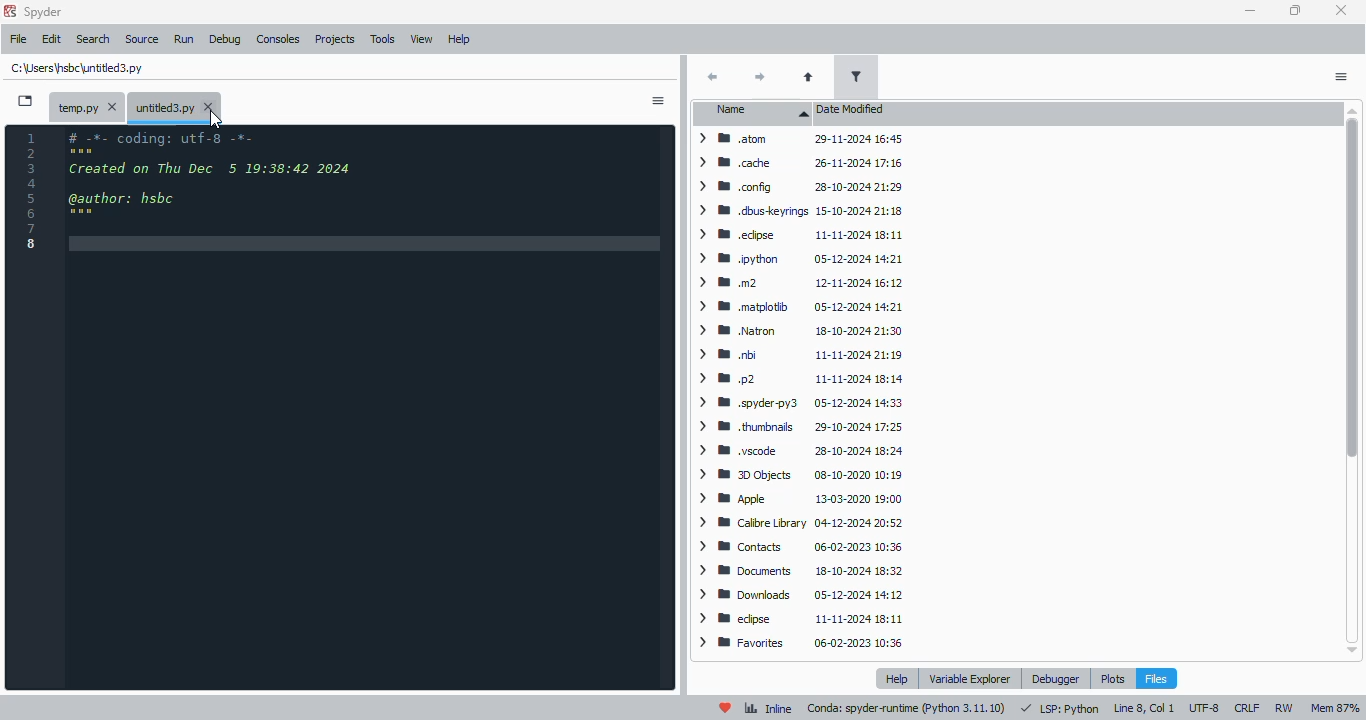 Image resolution: width=1366 pixels, height=720 pixels. What do you see at coordinates (143, 39) in the screenshot?
I see `source` at bounding box center [143, 39].